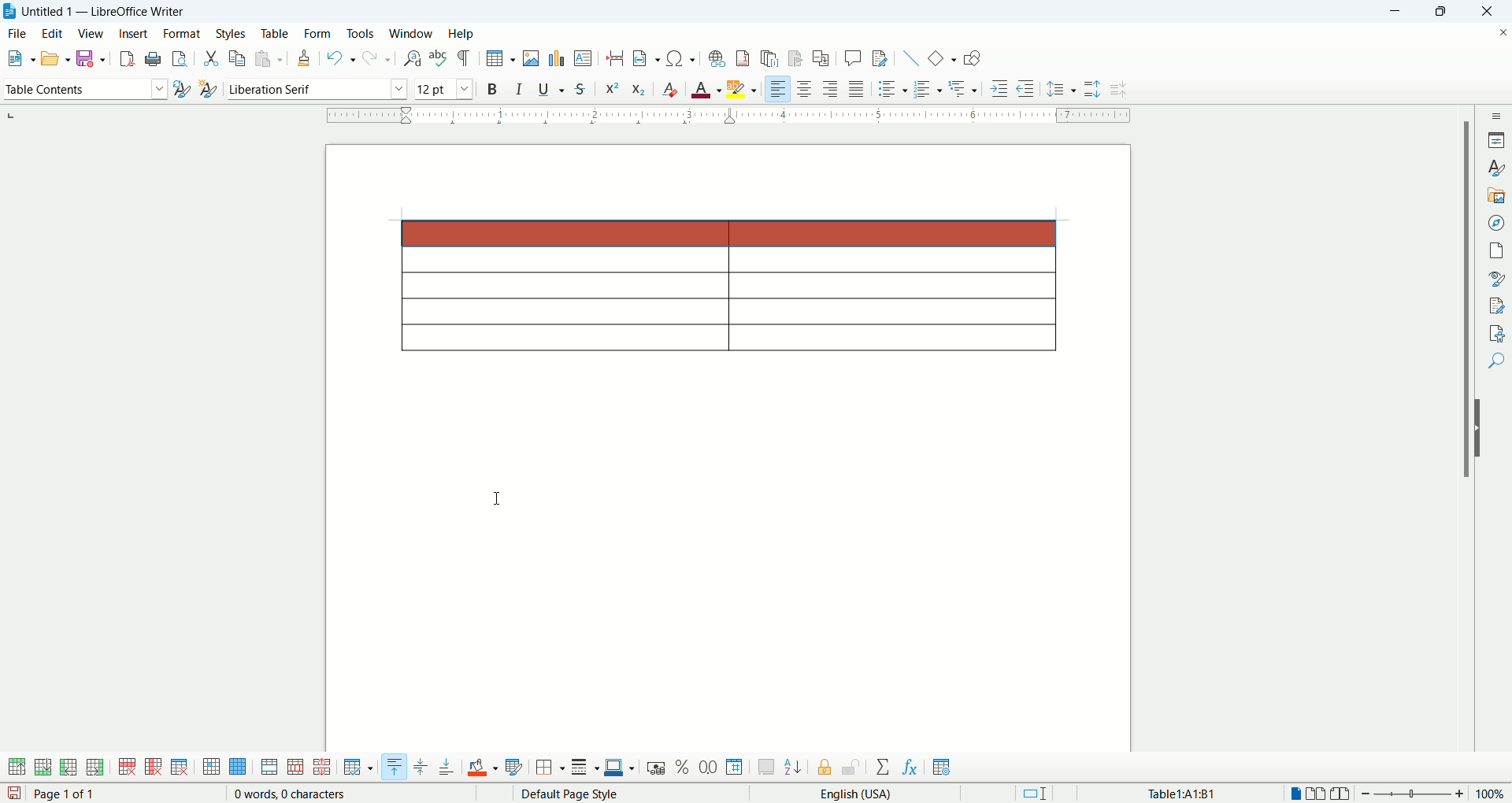 This screenshot has width=1512, height=803. Describe the element at coordinates (619, 57) in the screenshot. I see `insert page break` at that location.